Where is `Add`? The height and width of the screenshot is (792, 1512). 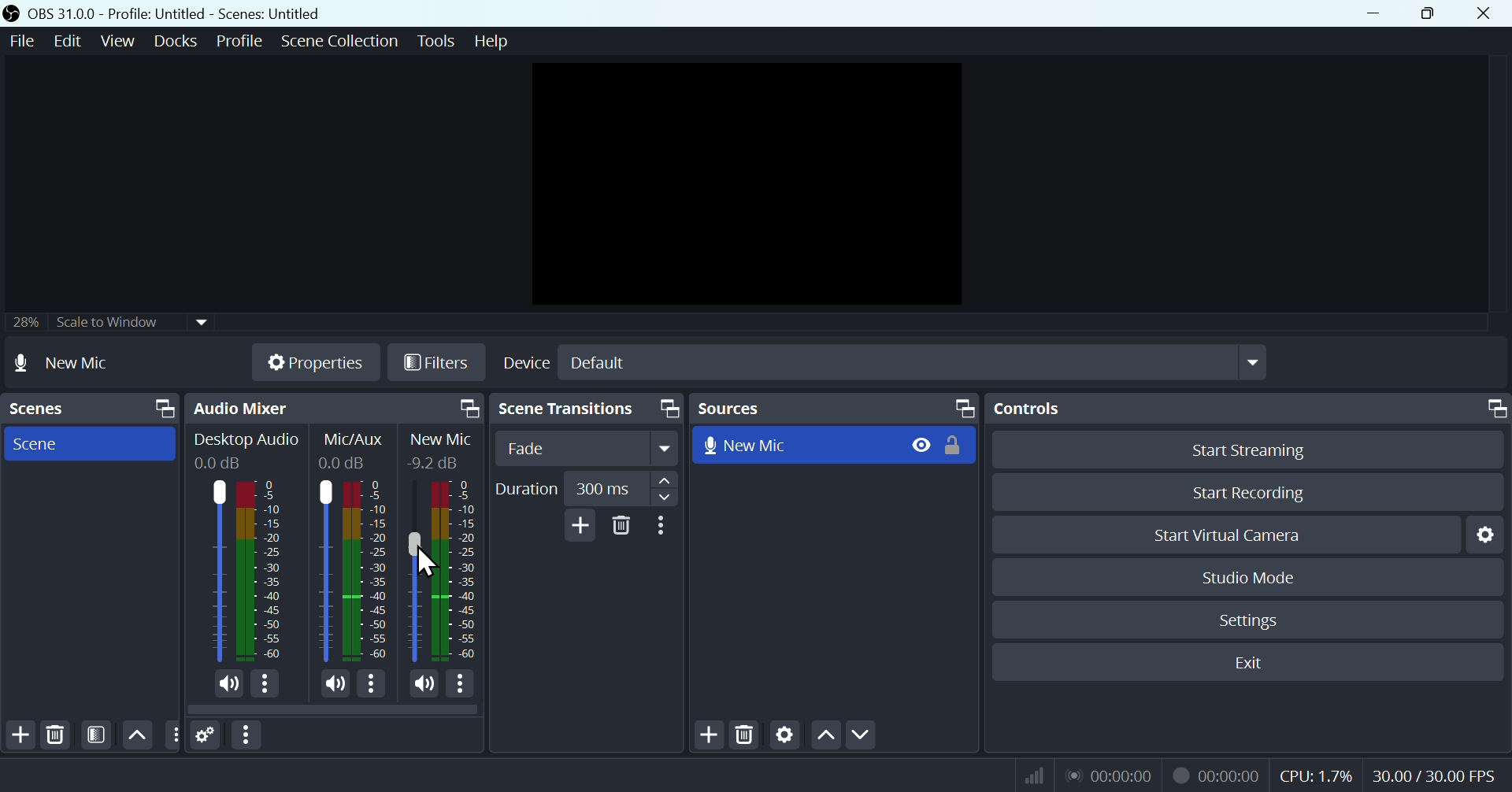
Add is located at coordinates (577, 525).